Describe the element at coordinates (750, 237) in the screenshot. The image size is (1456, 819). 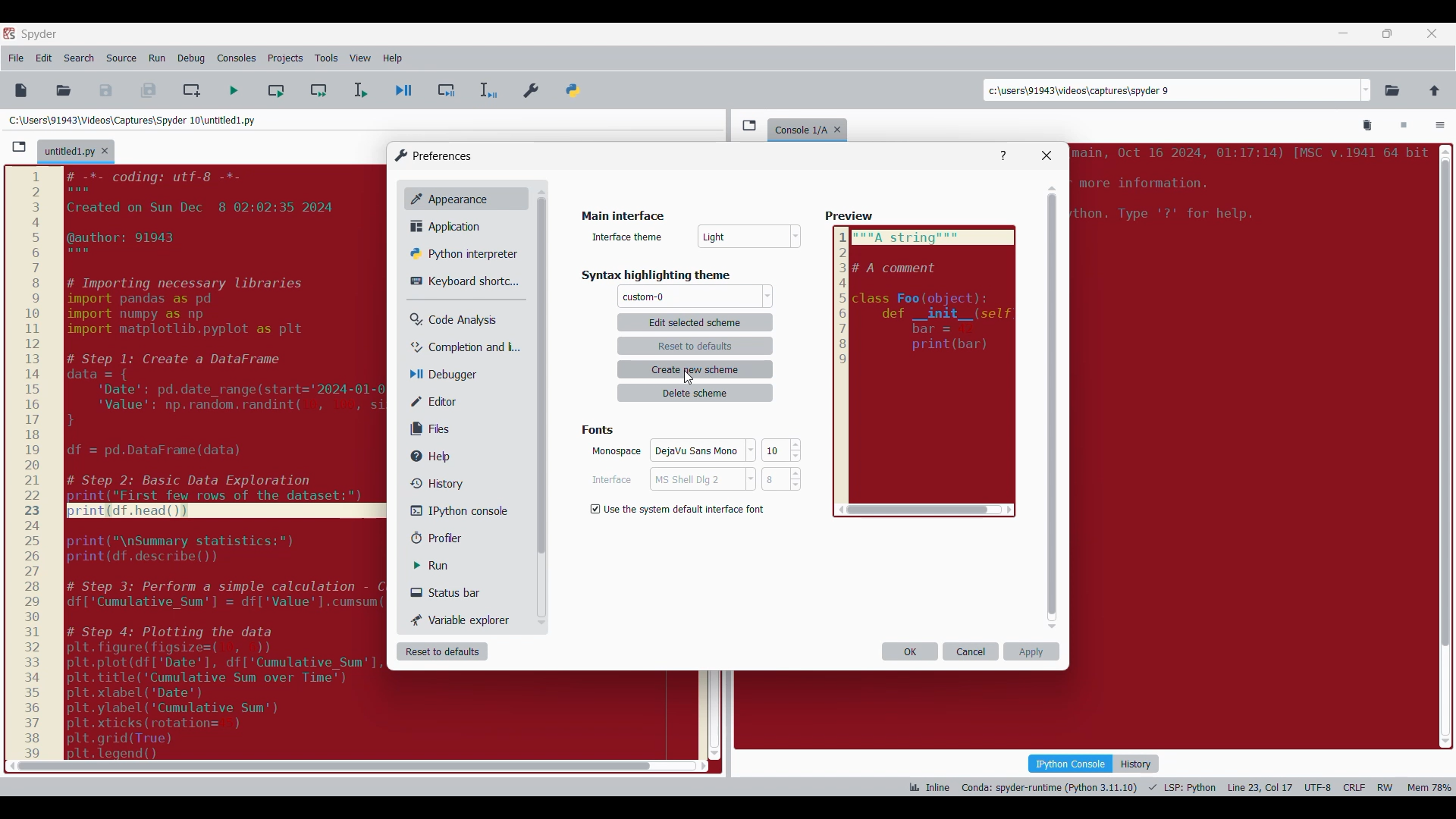
I see `Interface theme options` at that location.